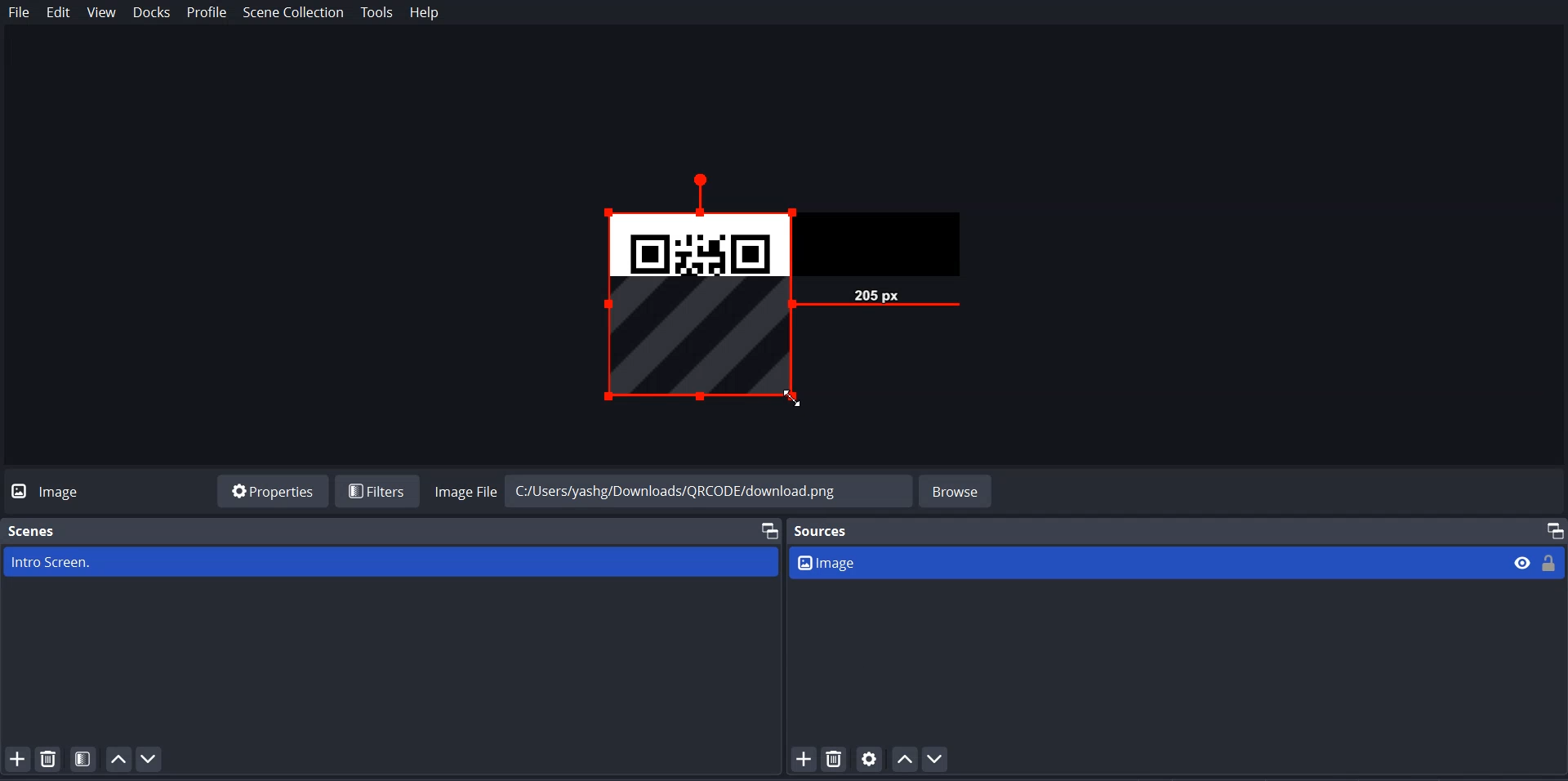 The height and width of the screenshot is (781, 1568). Describe the element at coordinates (697, 492) in the screenshot. I see `C:/Users/yashg/Downloads/QRCODE/download.png` at that location.